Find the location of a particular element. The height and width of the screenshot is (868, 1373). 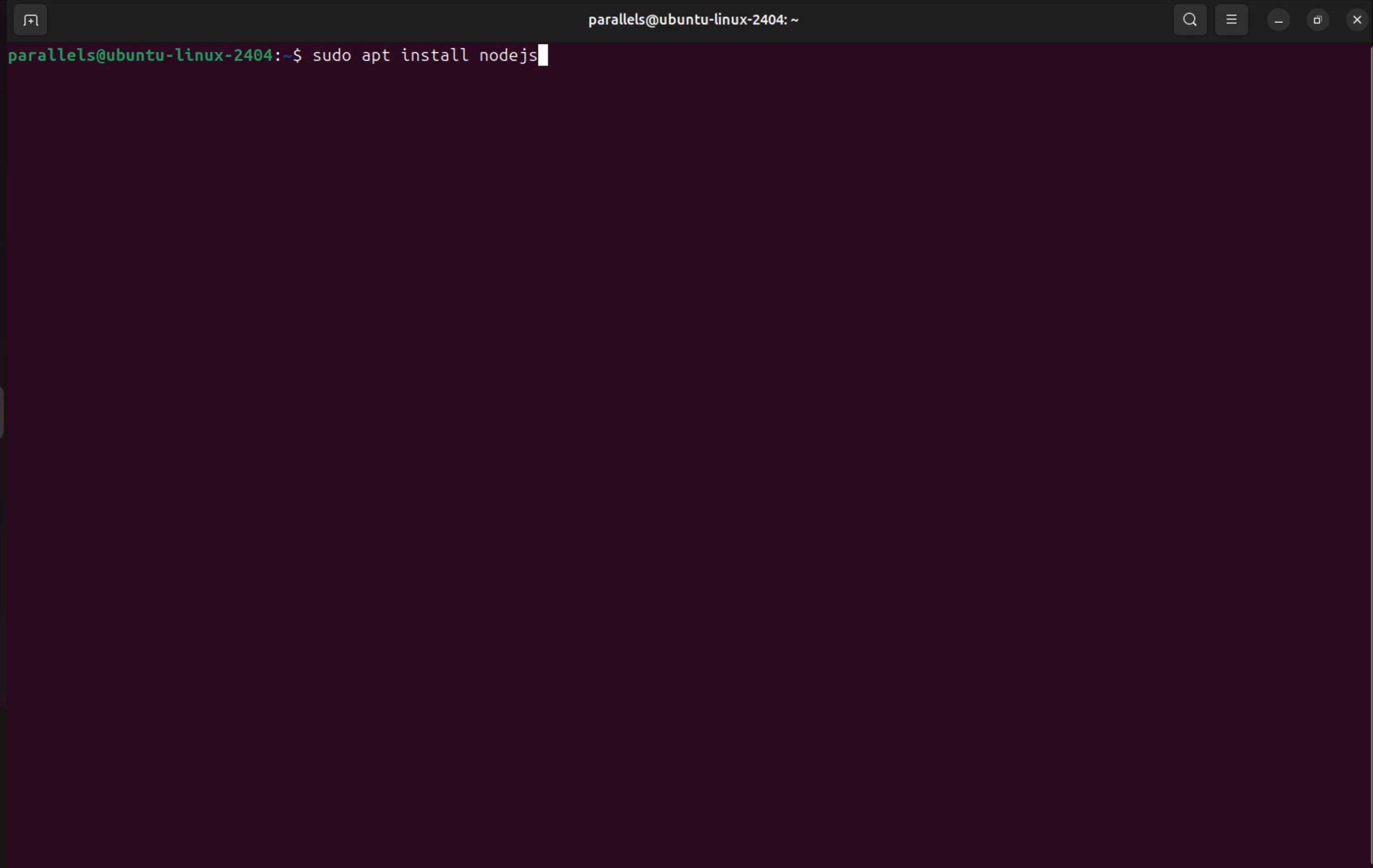

search is located at coordinates (1192, 21).